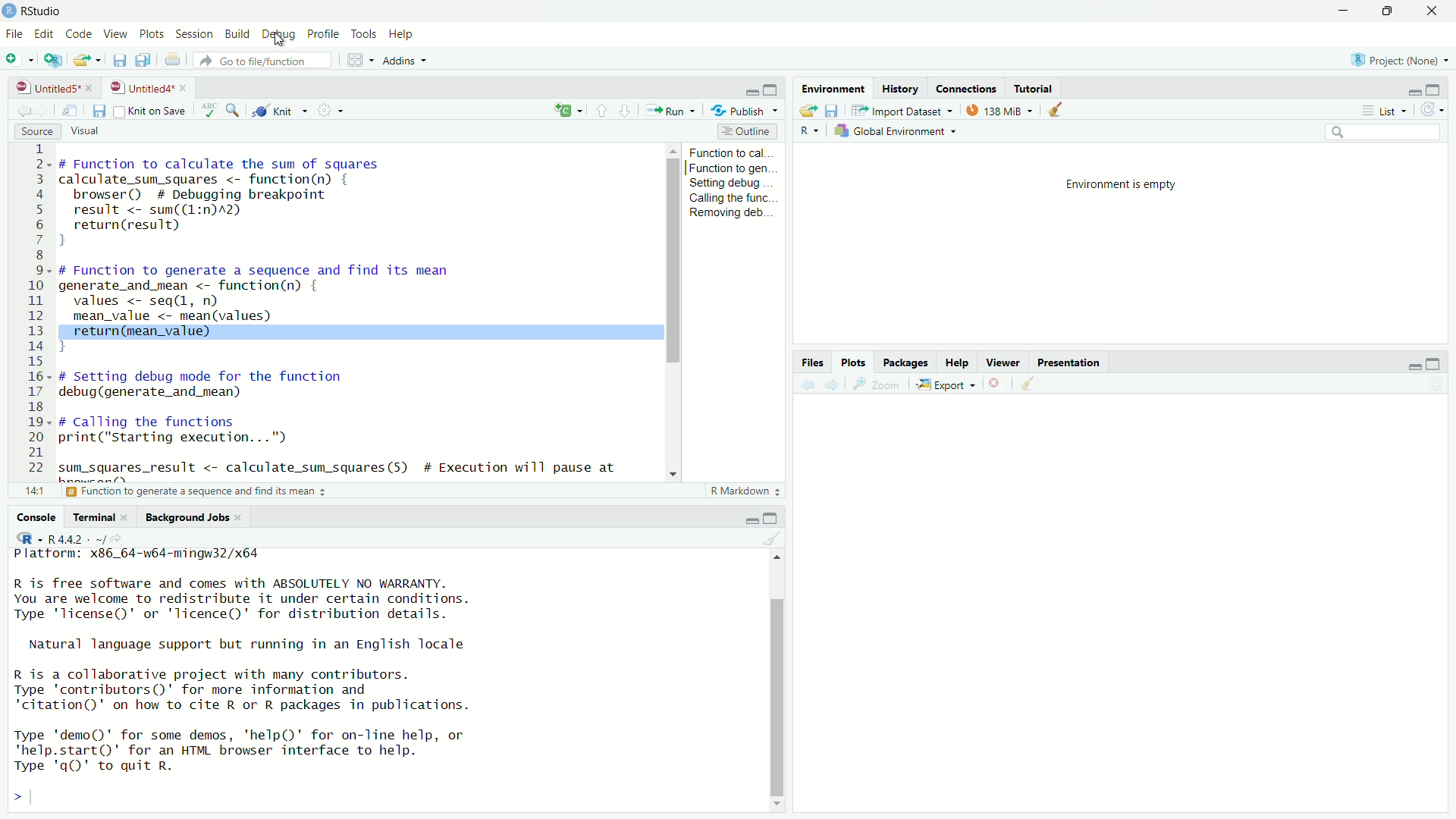 The image size is (1456, 819). I want to click on minimize, so click(745, 516).